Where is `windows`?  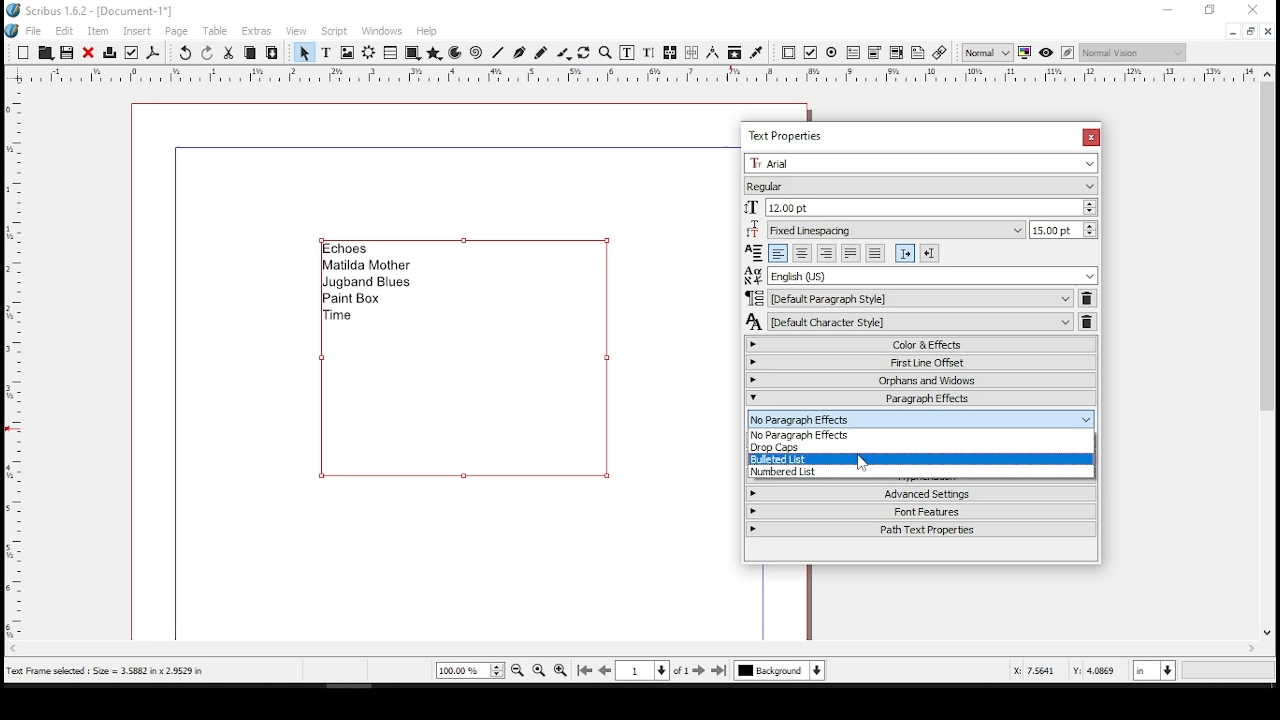
windows is located at coordinates (381, 31).